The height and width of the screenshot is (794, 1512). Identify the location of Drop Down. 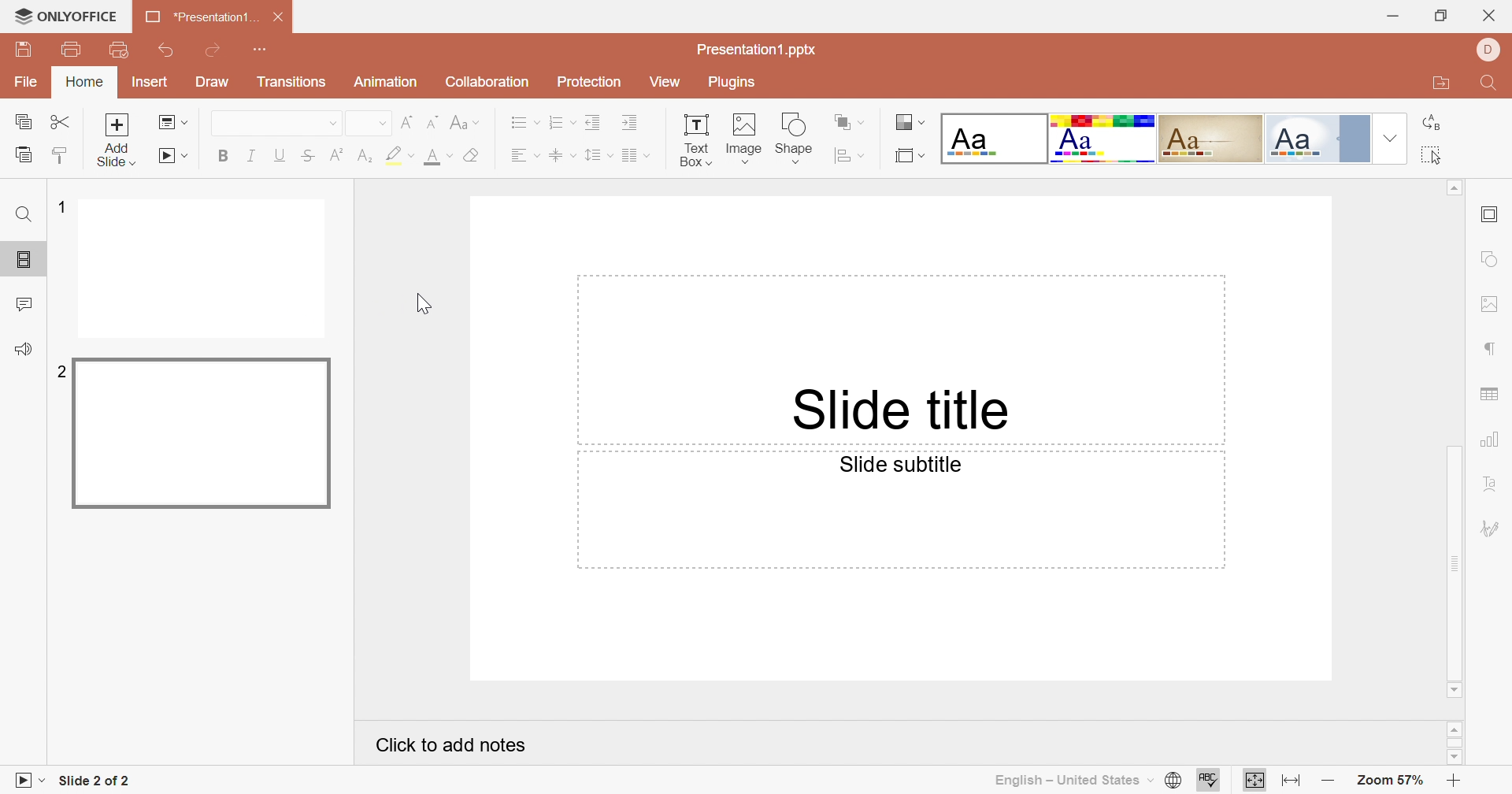
(187, 122).